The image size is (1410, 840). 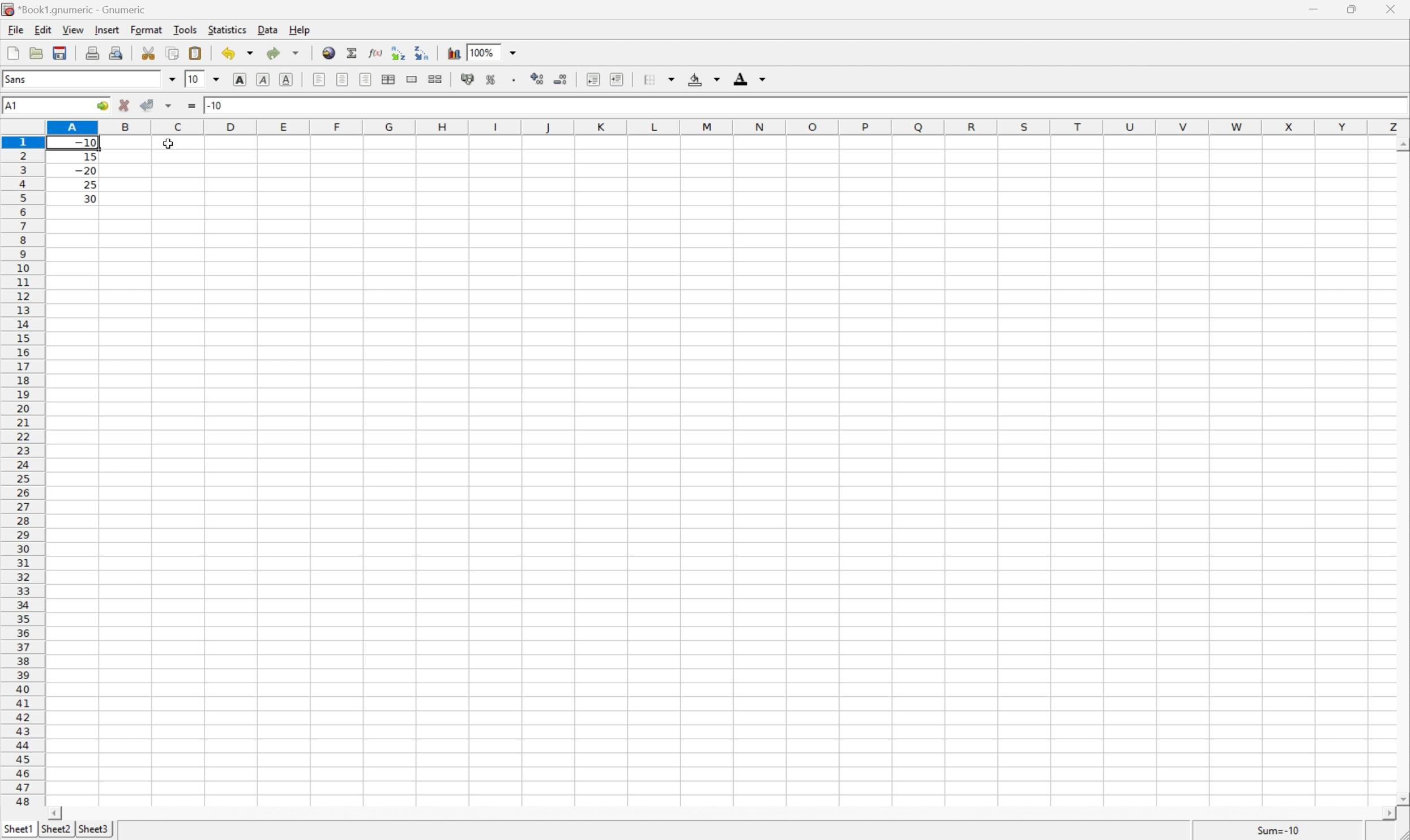 What do you see at coordinates (492, 82) in the screenshot?
I see `Format the selection as percentage` at bounding box center [492, 82].